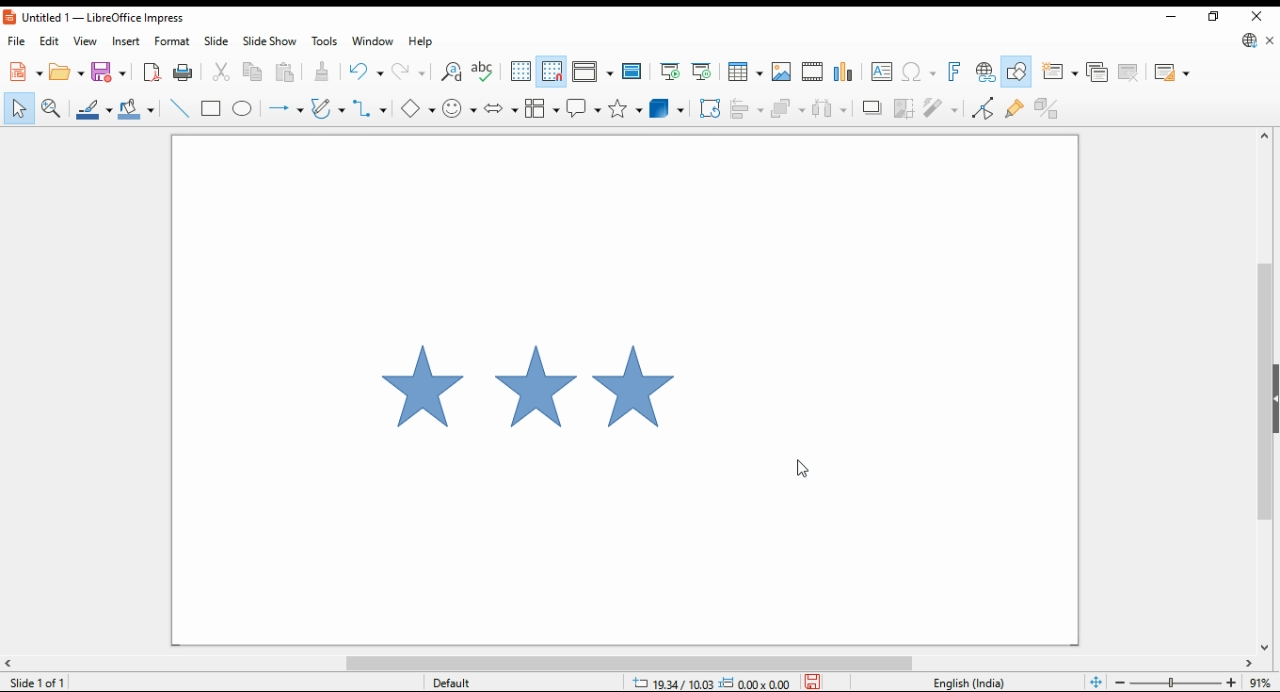  I want to click on window, so click(373, 43).